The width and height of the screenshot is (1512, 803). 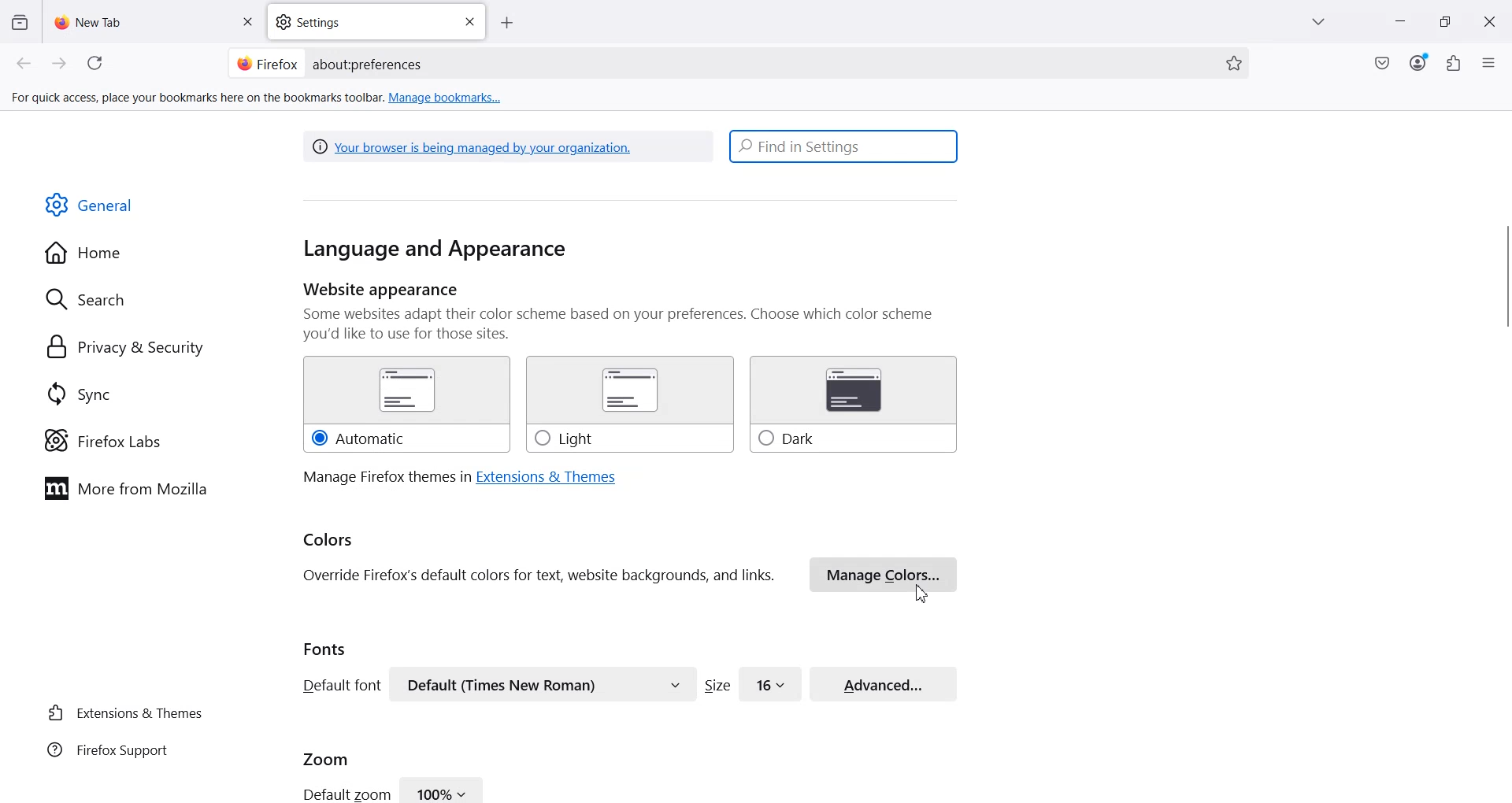 What do you see at coordinates (339, 685) in the screenshot?
I see `Default font` at bounding box center [339, 685].